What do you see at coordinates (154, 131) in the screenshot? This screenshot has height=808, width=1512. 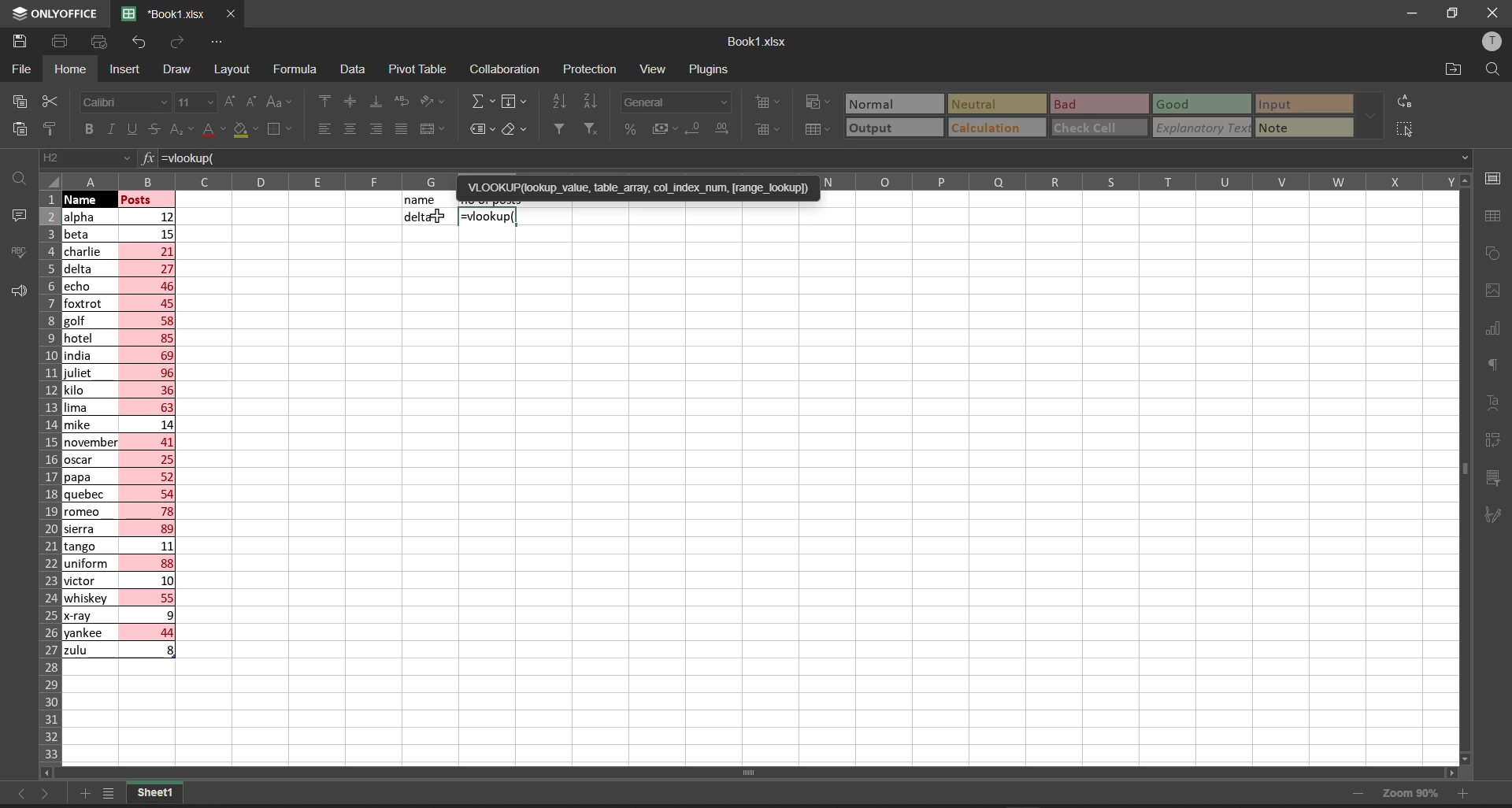 I see `strikethrough` at bounding box center [154, 131].